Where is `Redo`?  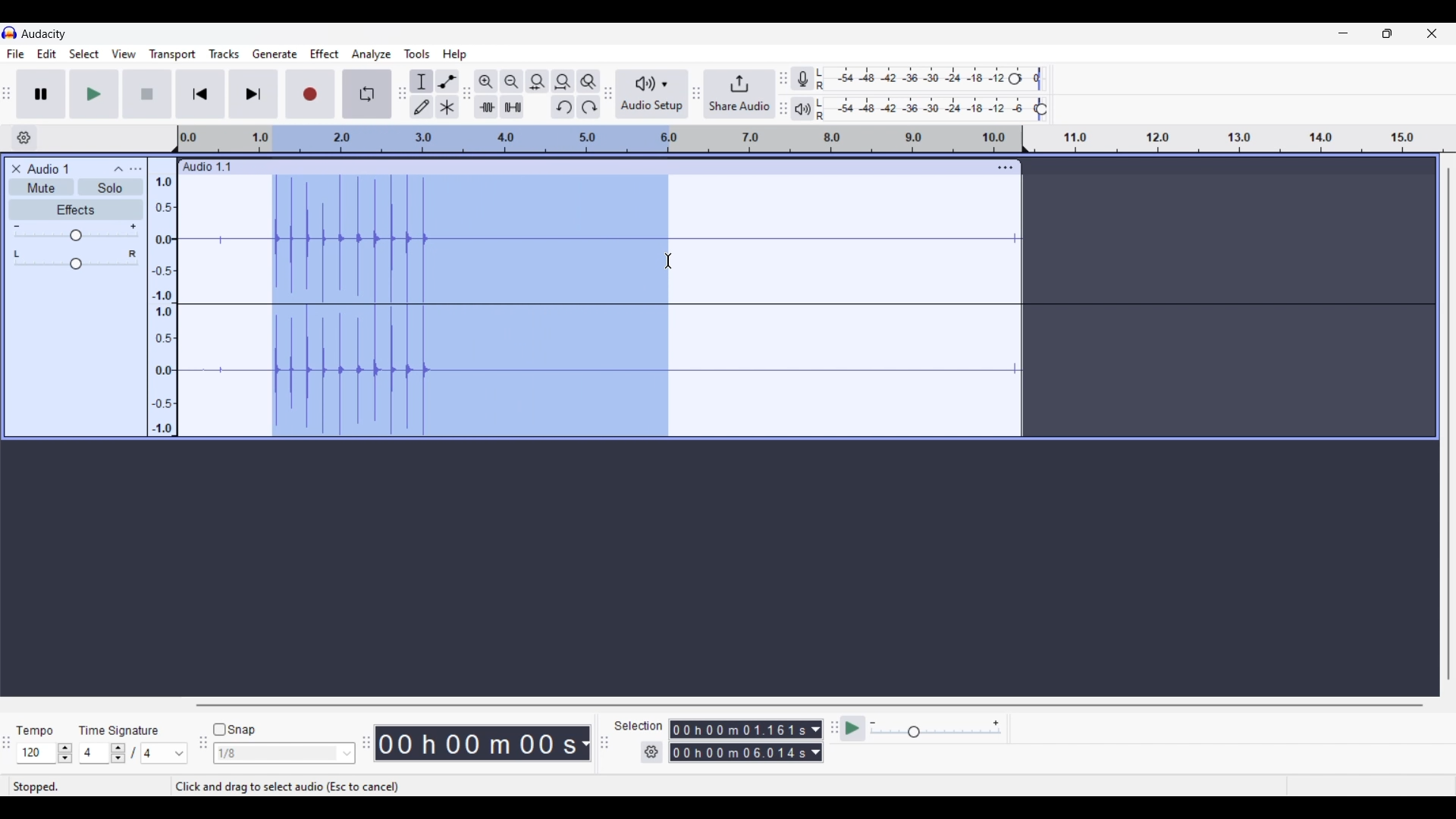 Redo is located at coordinates (588, 107).